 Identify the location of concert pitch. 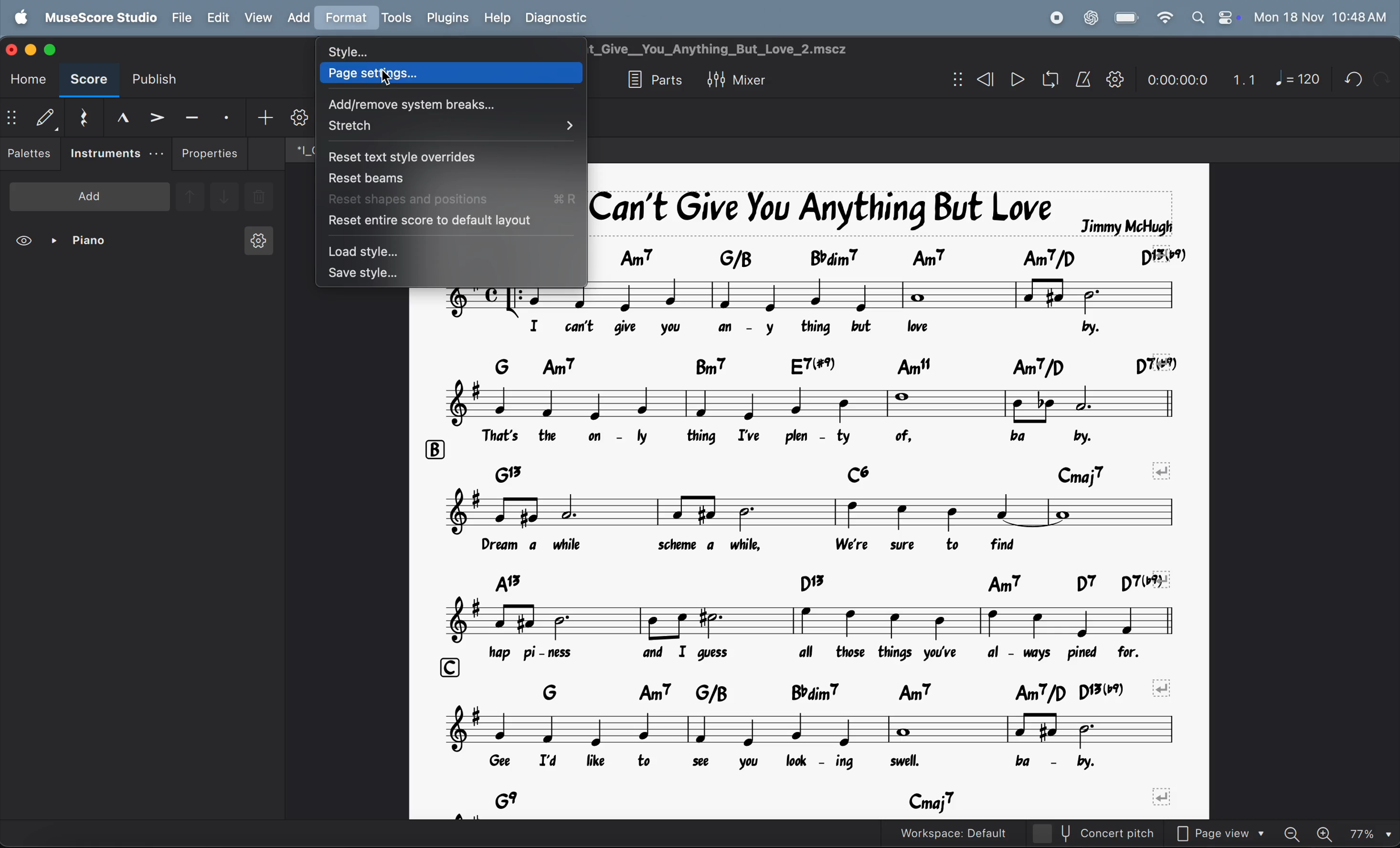
(1116, 833).